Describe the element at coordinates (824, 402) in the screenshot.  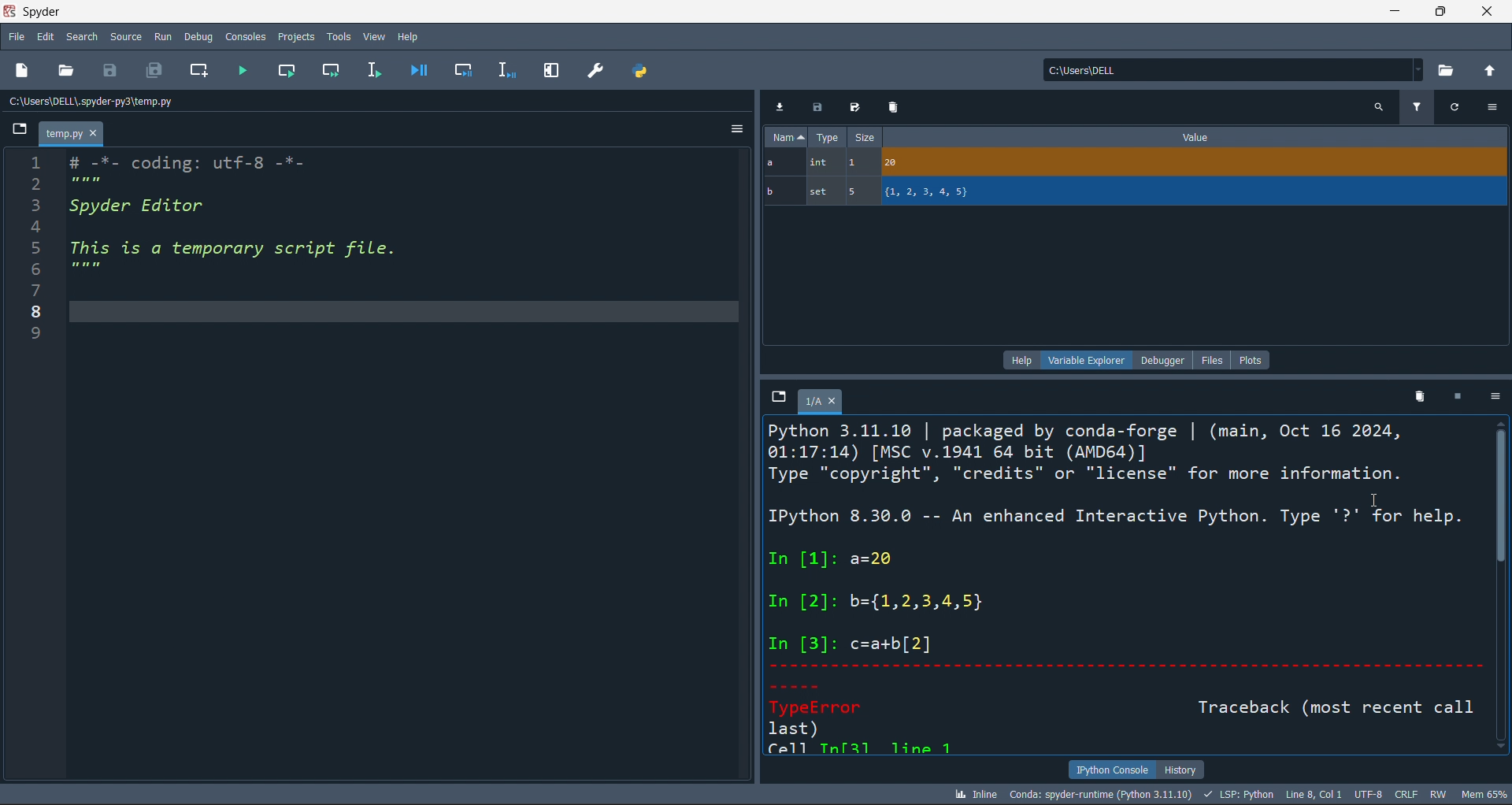
I see `1/A` at that location.